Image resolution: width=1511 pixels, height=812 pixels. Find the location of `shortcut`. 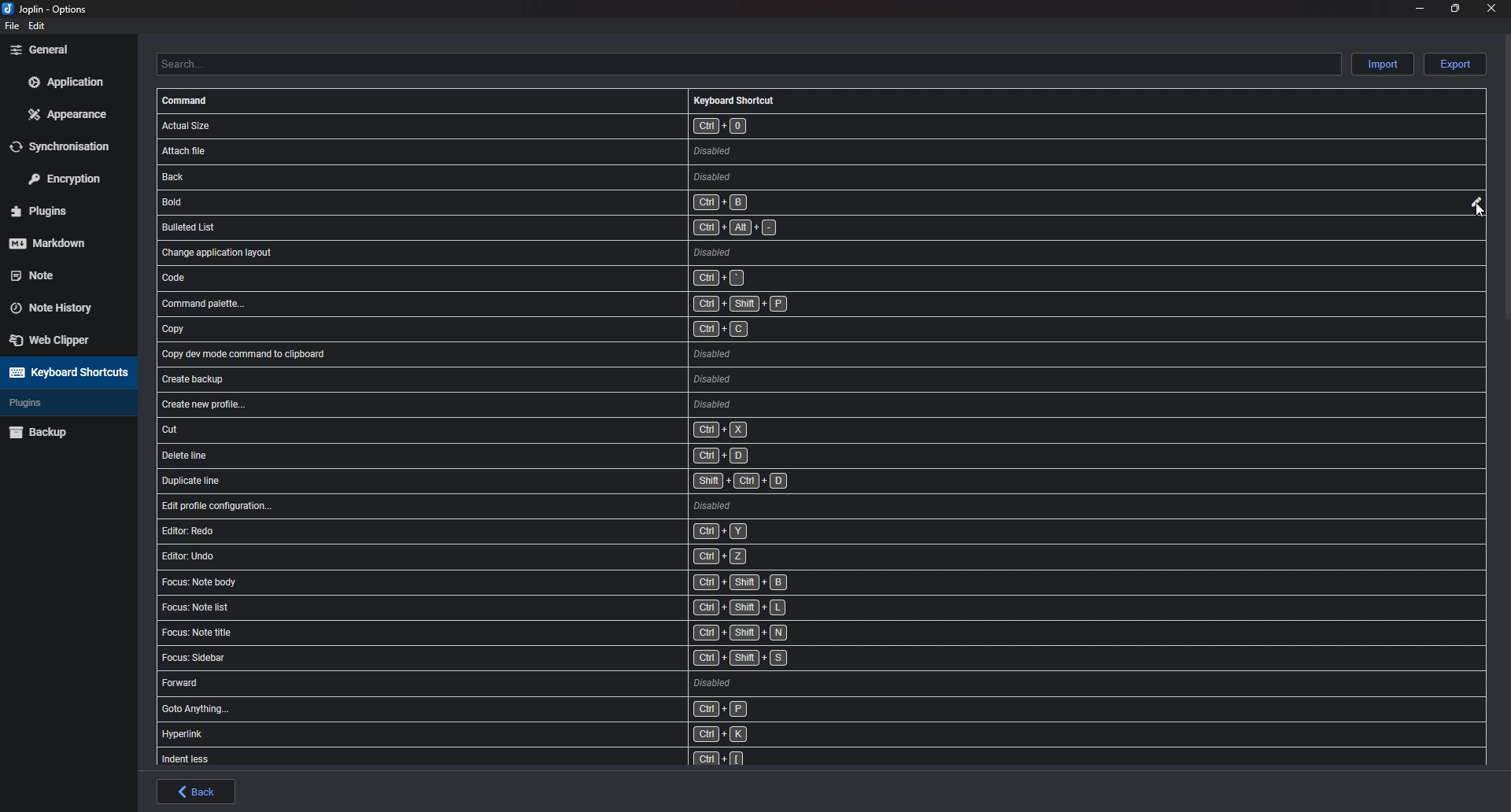

shortcut is located at coordinates (538, 482).